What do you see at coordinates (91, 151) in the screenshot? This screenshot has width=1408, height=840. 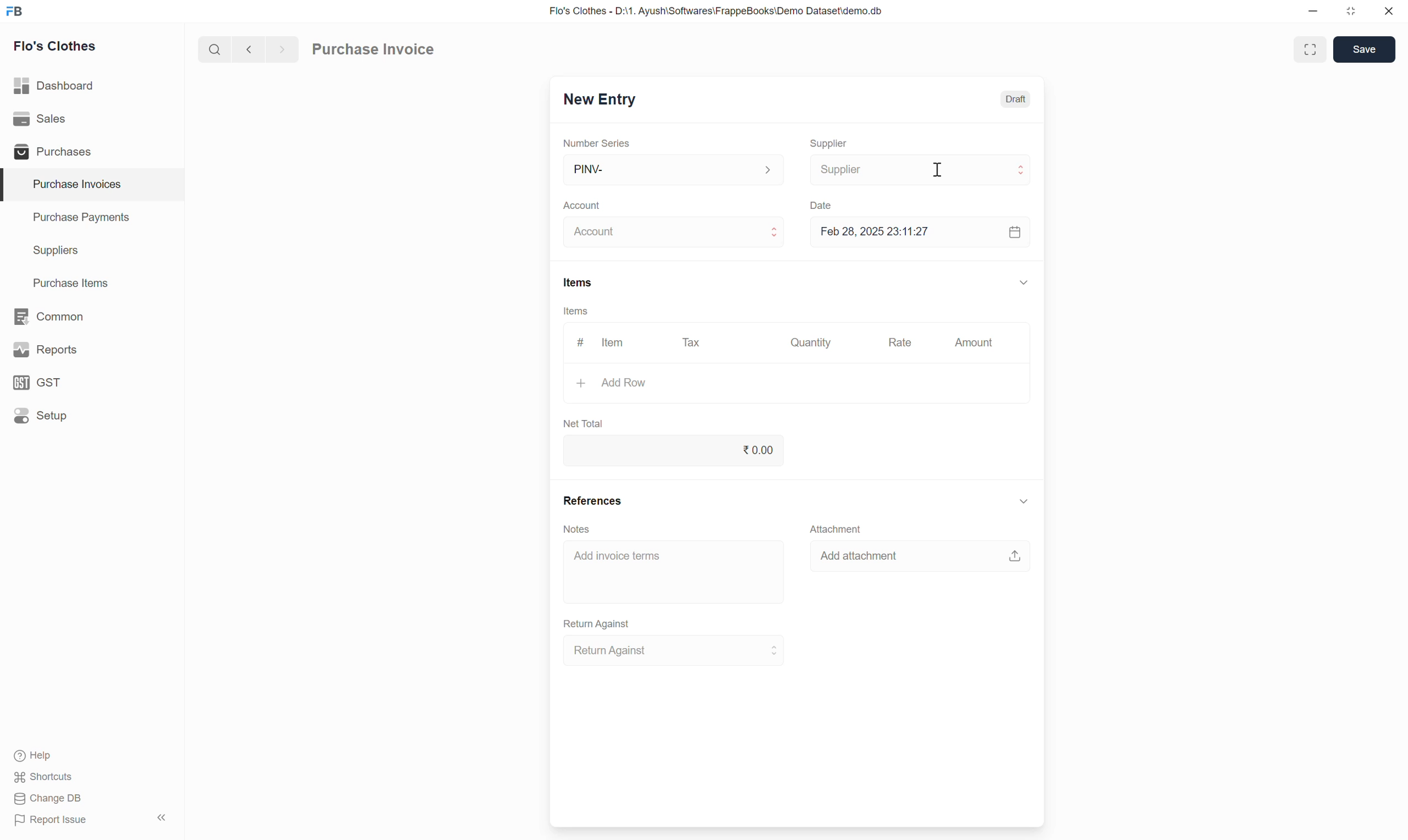 I see `Purchases` at bounding box center [91, 151].